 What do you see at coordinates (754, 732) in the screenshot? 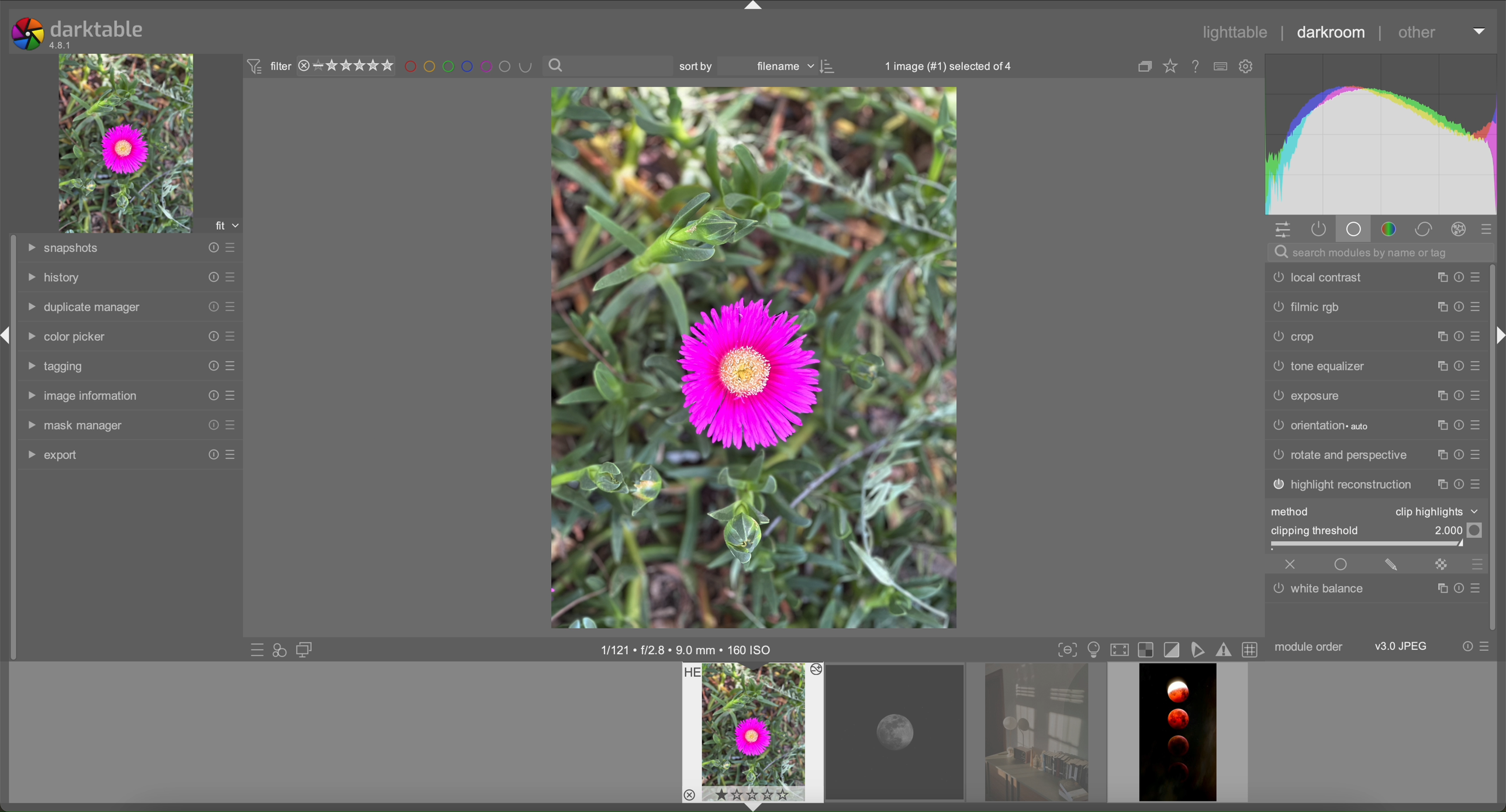
I see `preview` at bounding box center [754, 732].